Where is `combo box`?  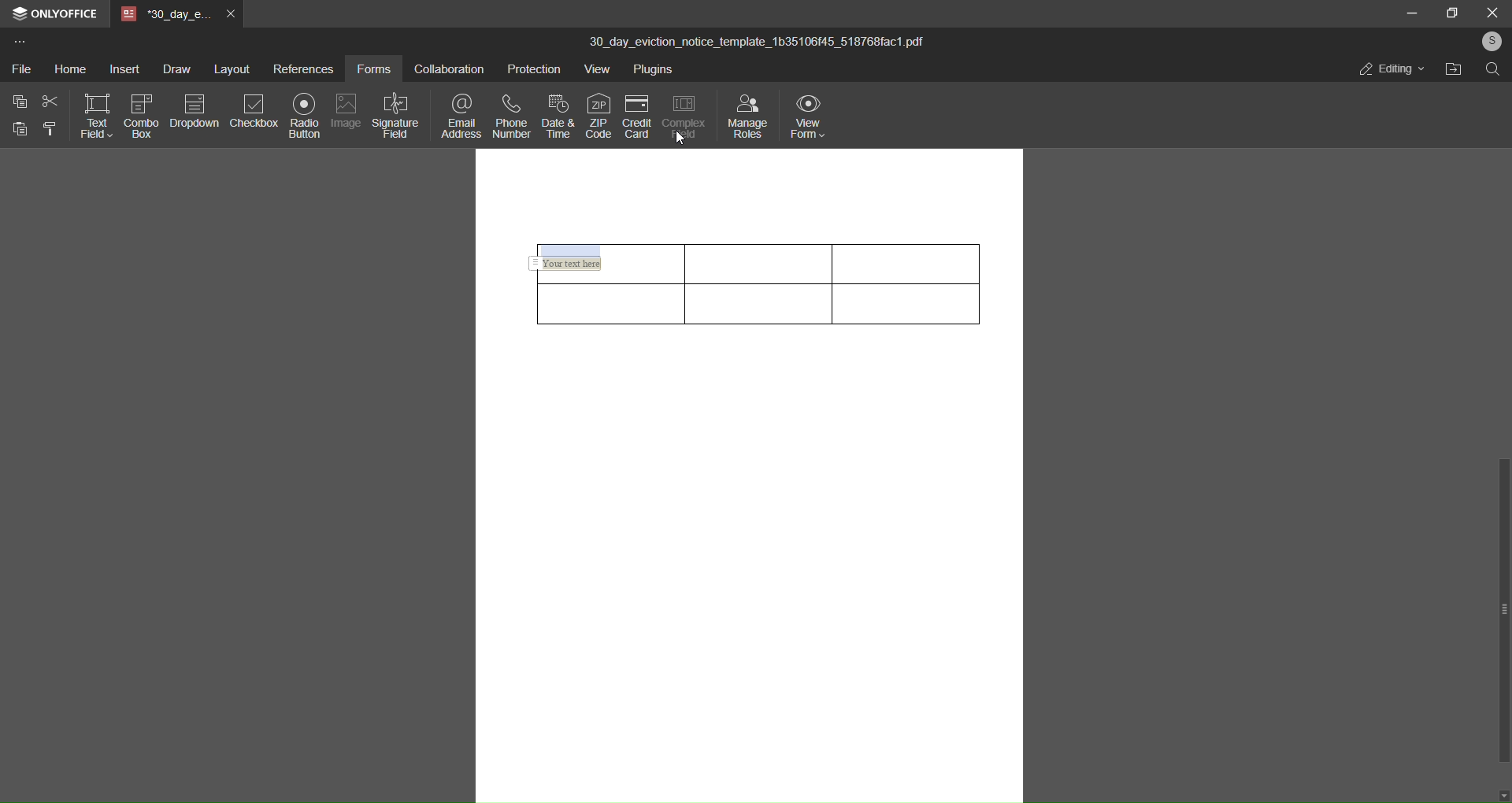 combo box is located at coordinates (139, 117).